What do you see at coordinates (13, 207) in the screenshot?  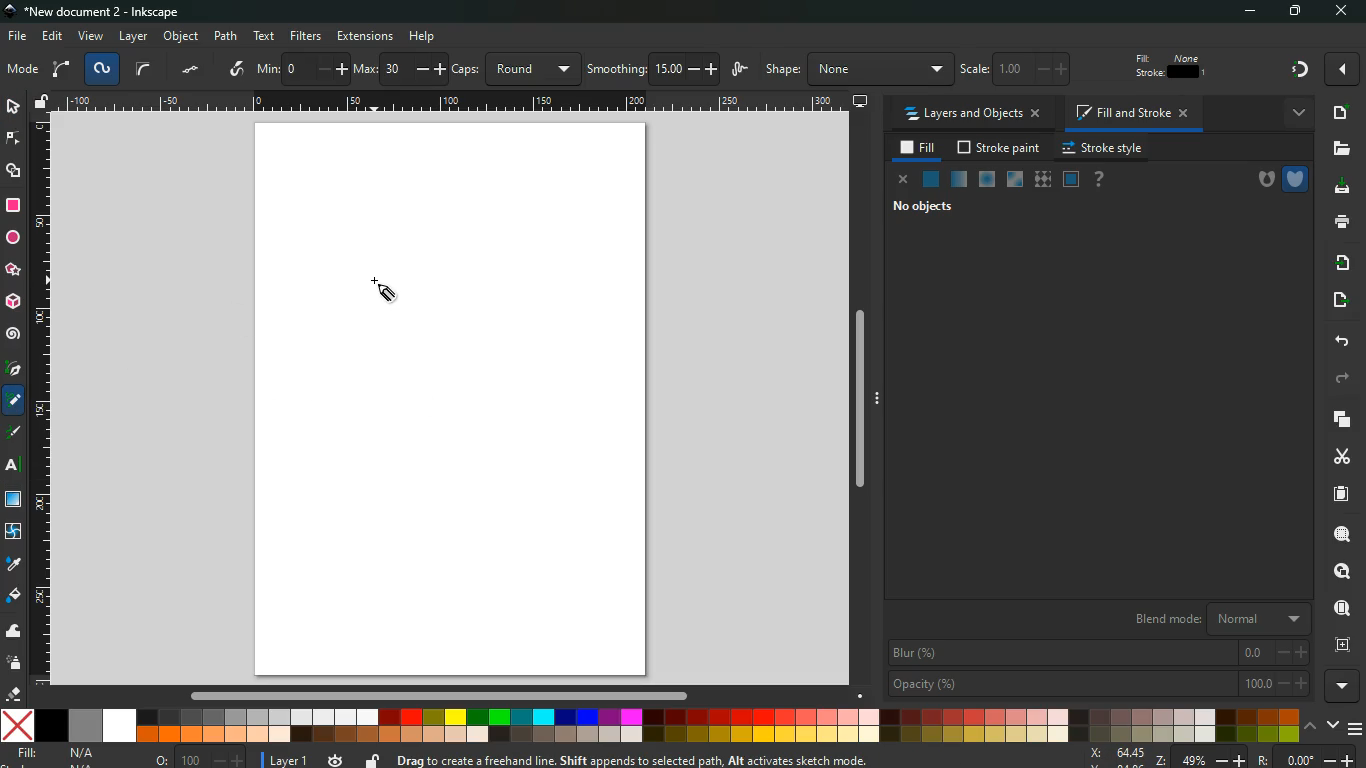 I see `rectangle` at bounding box center [13, 207].